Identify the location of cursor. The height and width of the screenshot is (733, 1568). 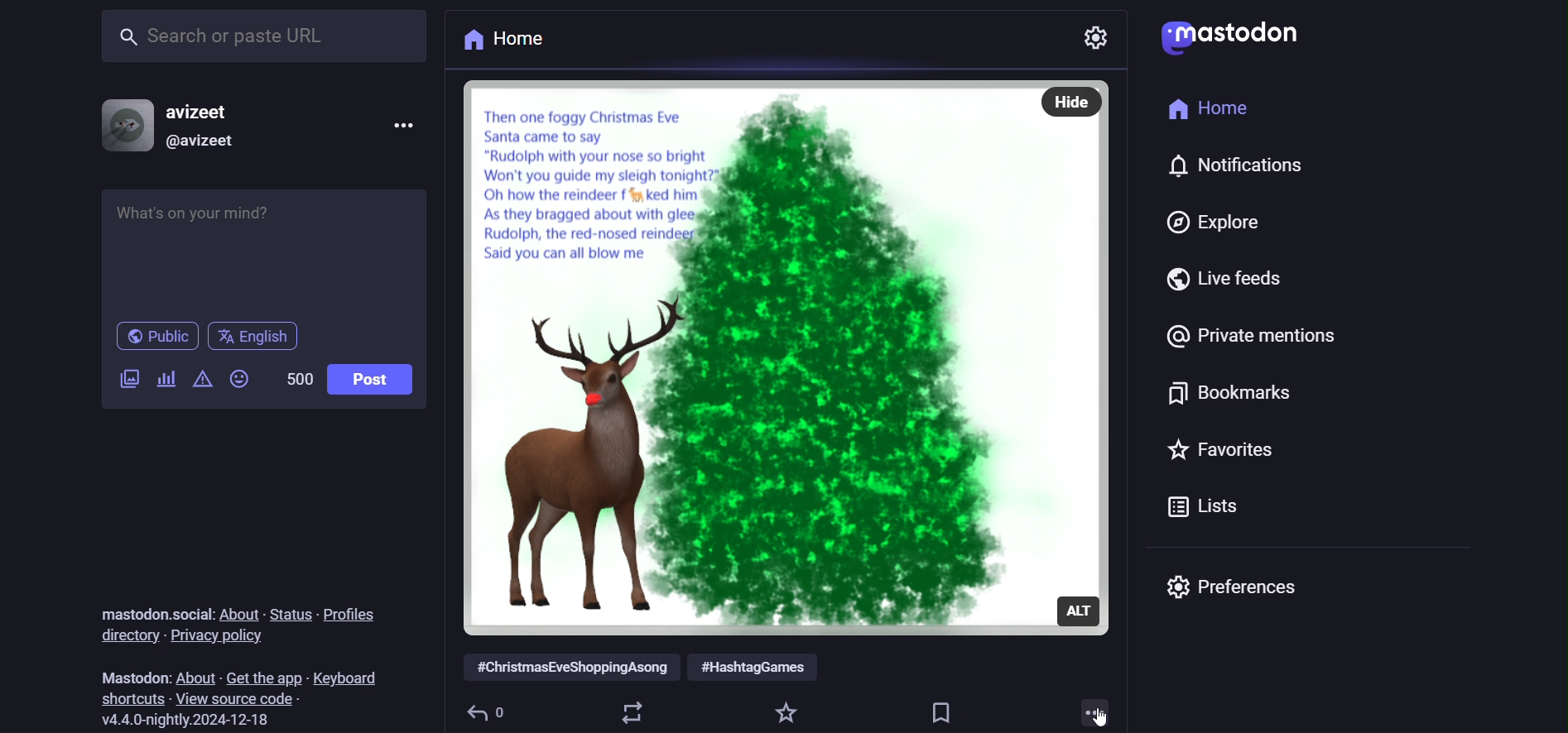
(1111, 718).